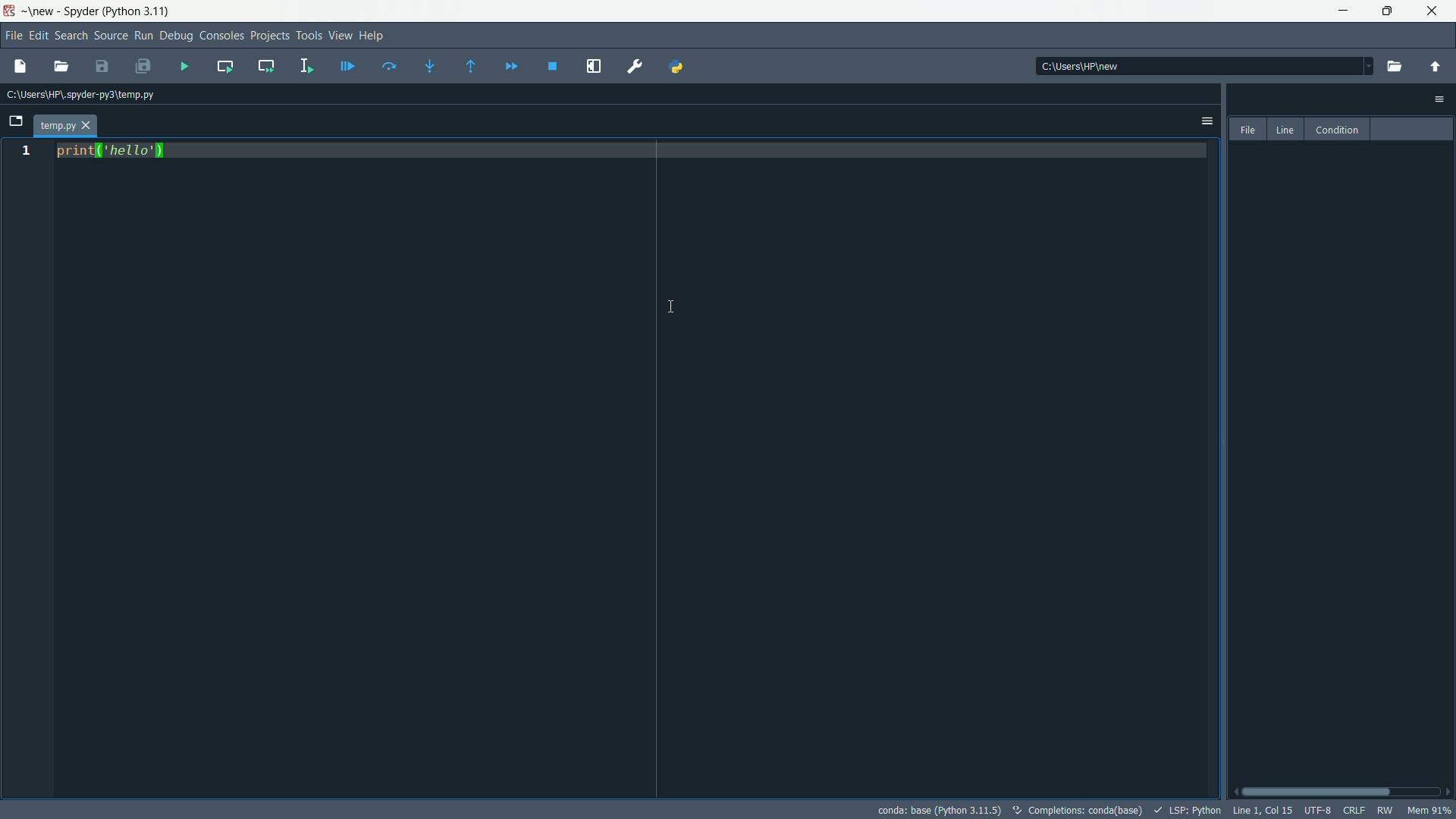 The height and width of the screenshot is (819, 1456). What do you see at coordinates (185, 66) in the screenshot?
I see `run file` at bounding box center [185, 66].